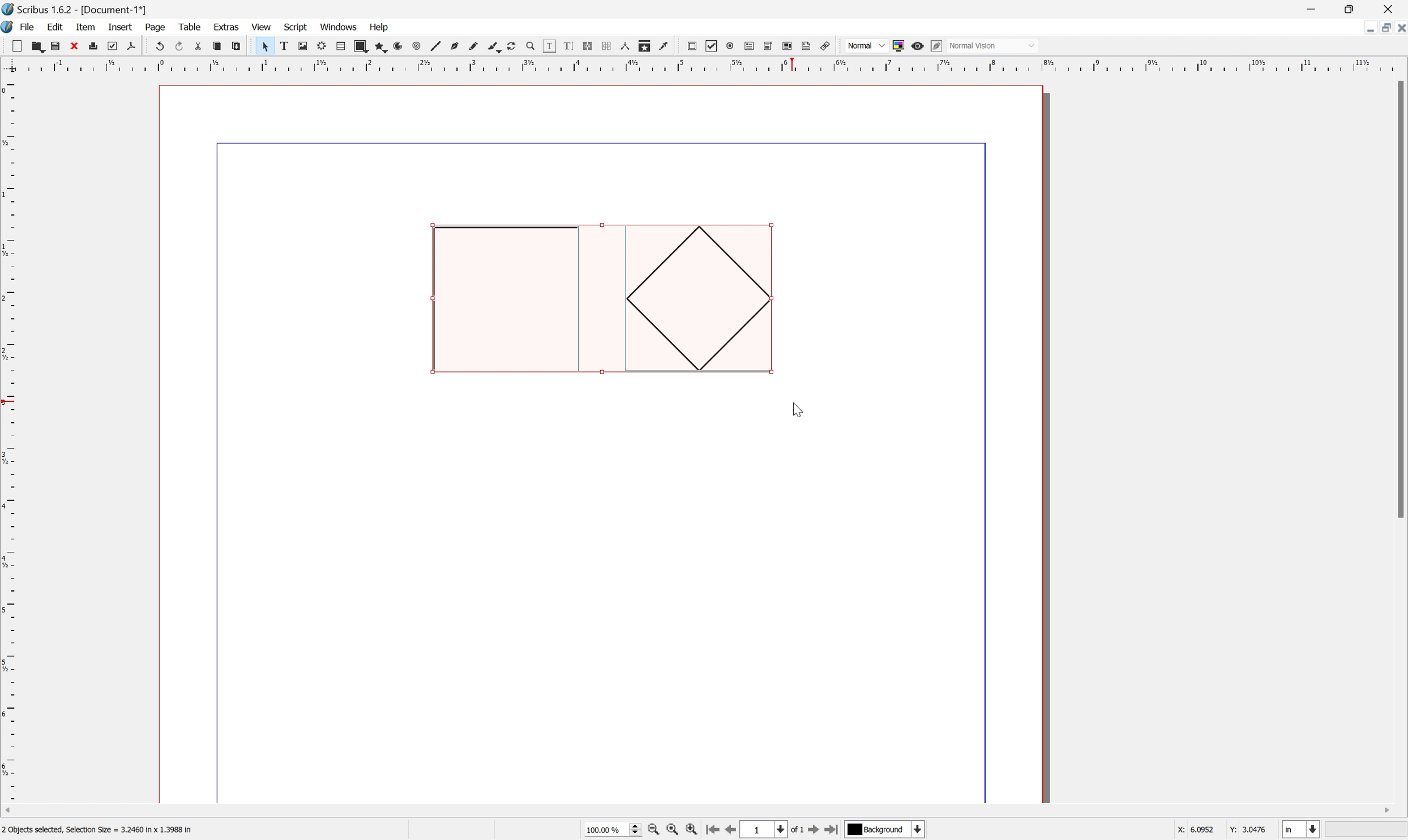 The image size is (1408, 840). Describe the element at coordinates (994, 44) in the screenshot. I see `Normal Vision` at that location.